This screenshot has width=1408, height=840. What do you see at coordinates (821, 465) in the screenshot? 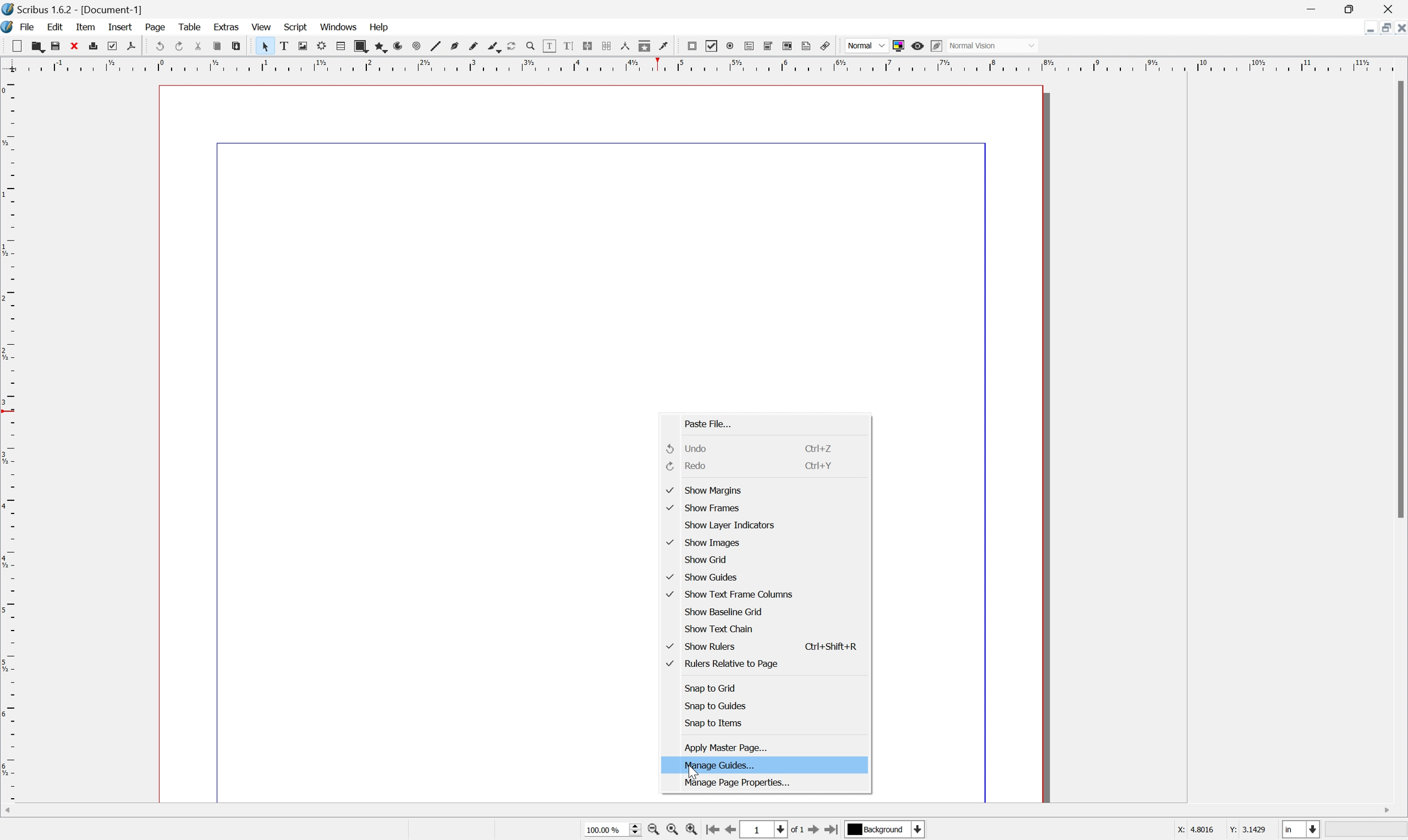
I see `ctrl+y` at bounding box center [821, 465].